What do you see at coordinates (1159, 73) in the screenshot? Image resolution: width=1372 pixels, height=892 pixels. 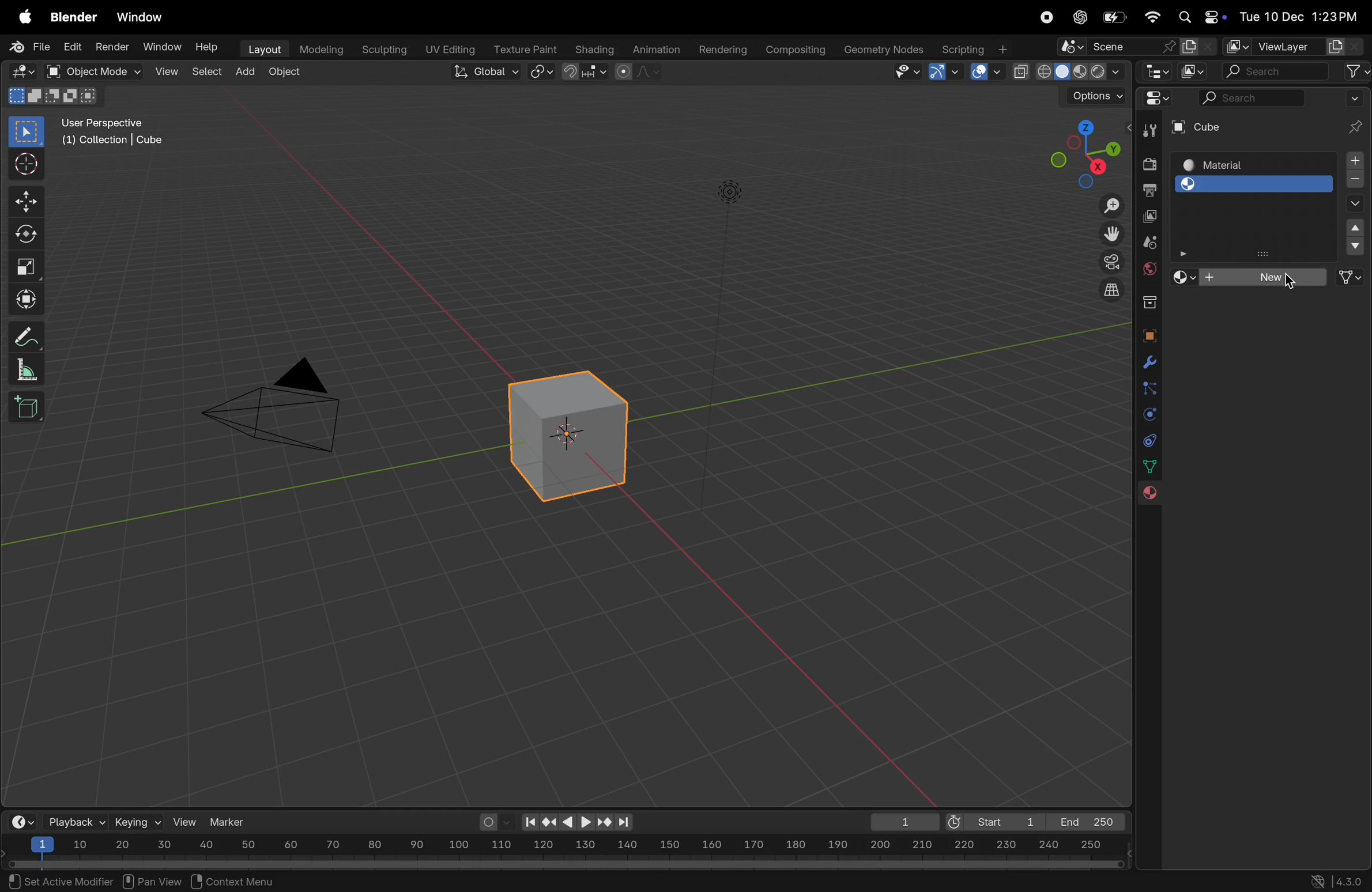 I see `editor type` at bounding box center [1159, 73].